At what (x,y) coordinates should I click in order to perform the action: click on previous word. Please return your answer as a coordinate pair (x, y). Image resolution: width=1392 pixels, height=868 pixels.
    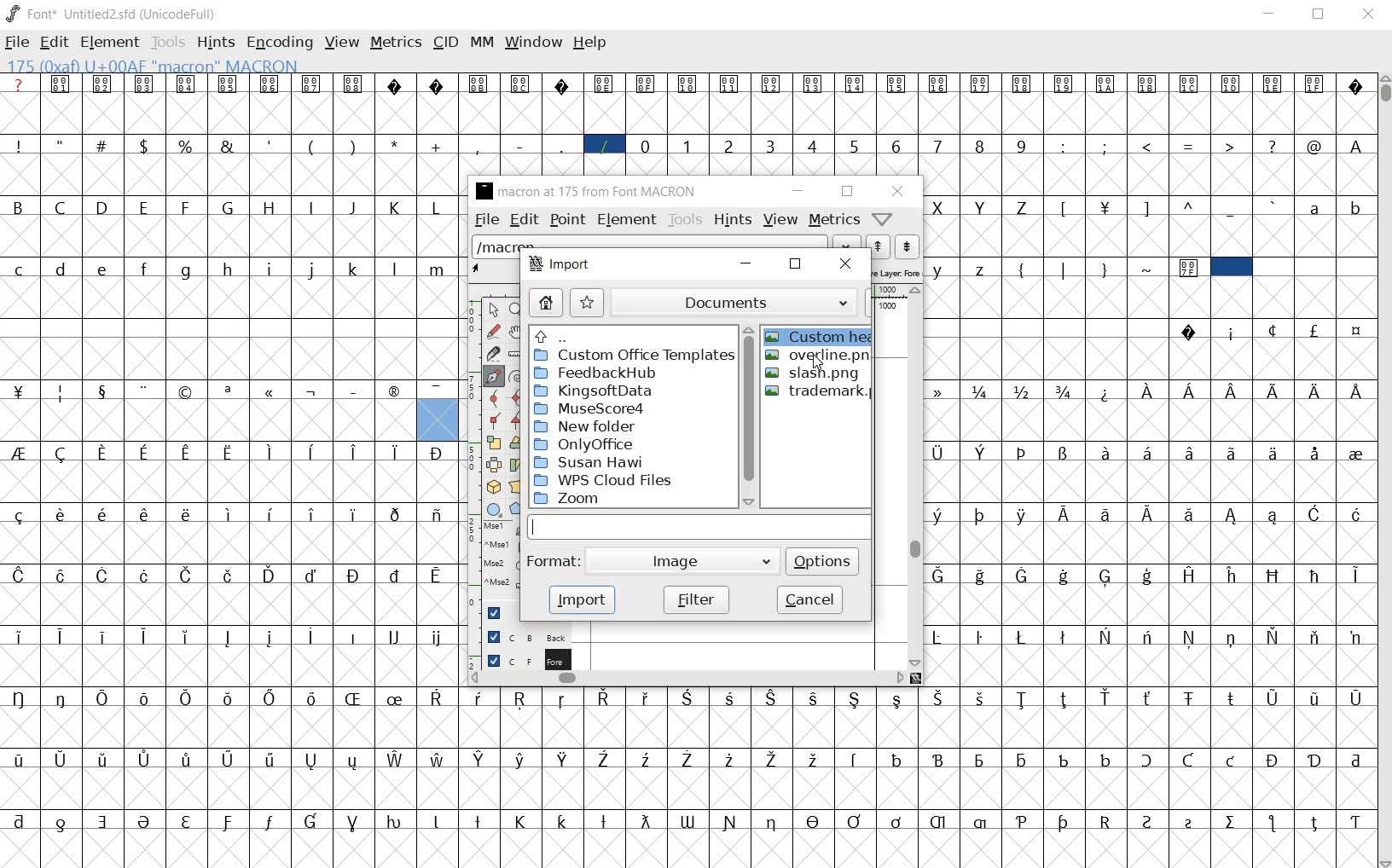
    Looking at the image, I should click on (879, 248).